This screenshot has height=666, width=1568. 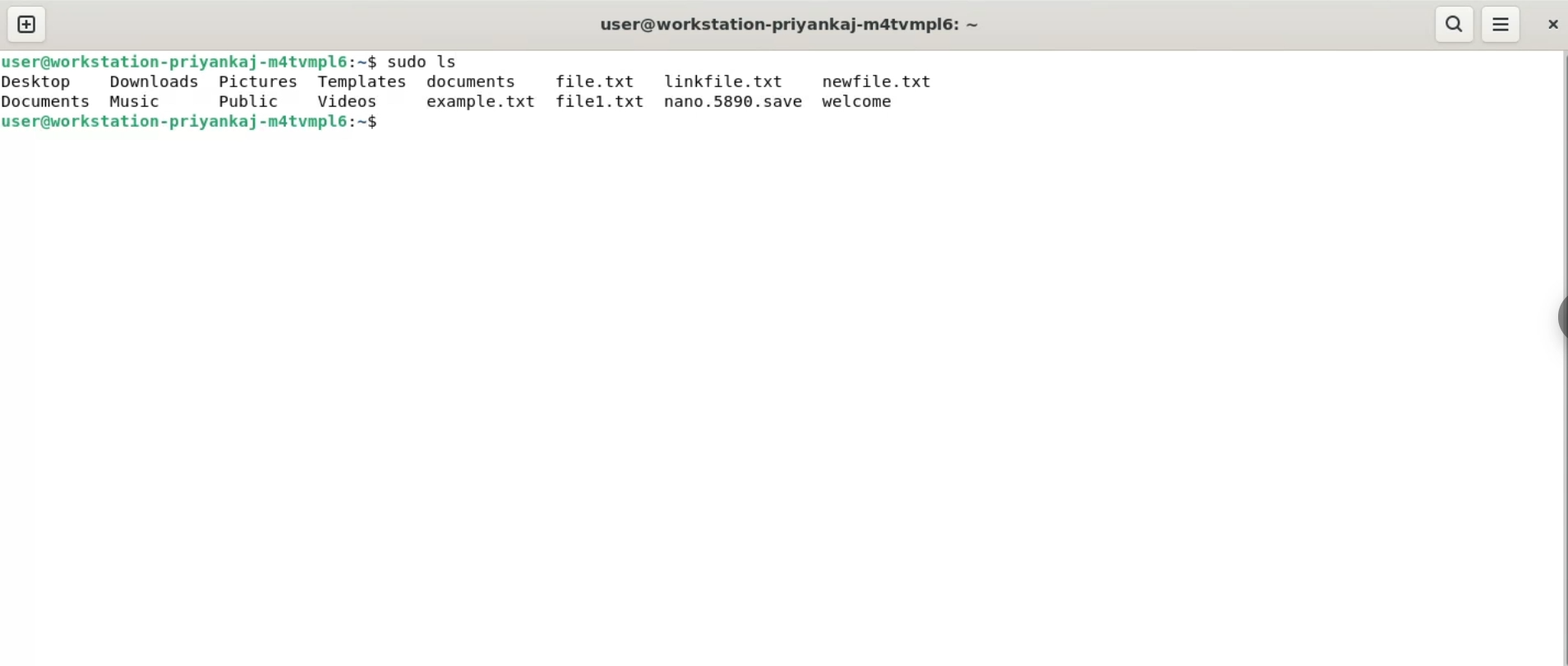 I want to click on public, so click(x=248, y=102).